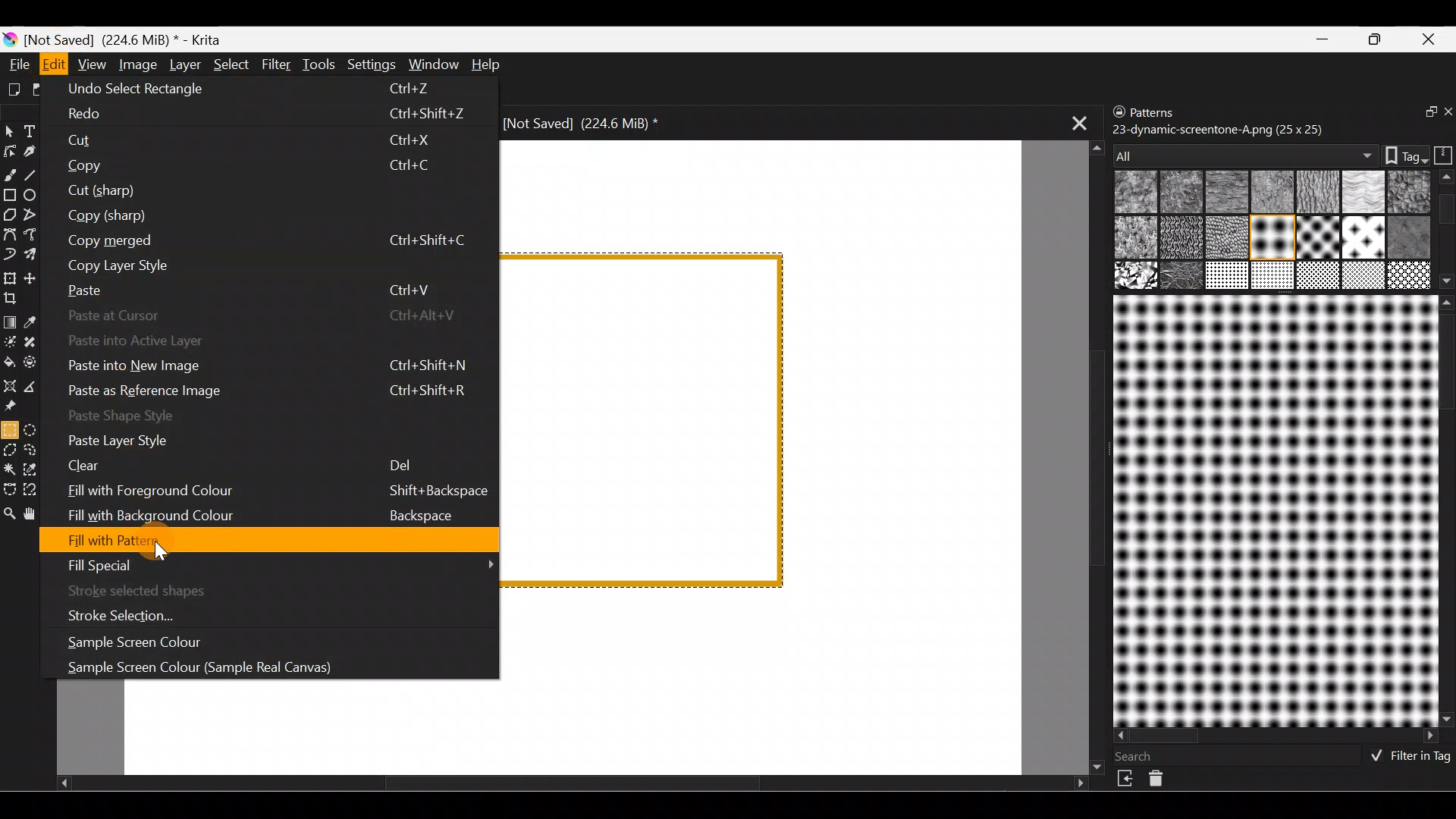 The width and height of the screenshot is (1456, 819). What do you see at coordinates (37, 277) in the screenshot?
I see `Move a layer` at bounding box center [37, 277].